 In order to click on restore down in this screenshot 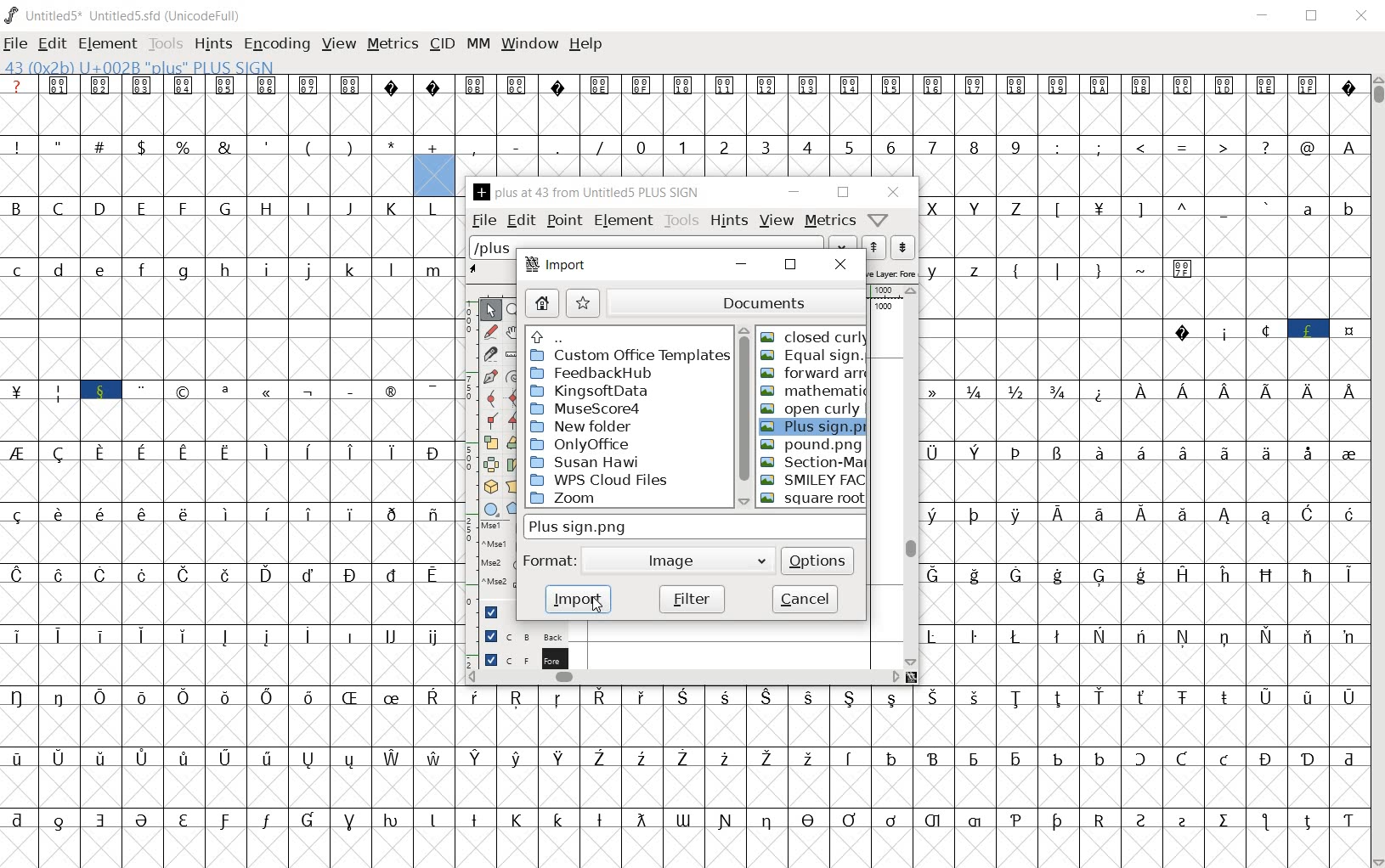, I will do `click(1314, 16)`.